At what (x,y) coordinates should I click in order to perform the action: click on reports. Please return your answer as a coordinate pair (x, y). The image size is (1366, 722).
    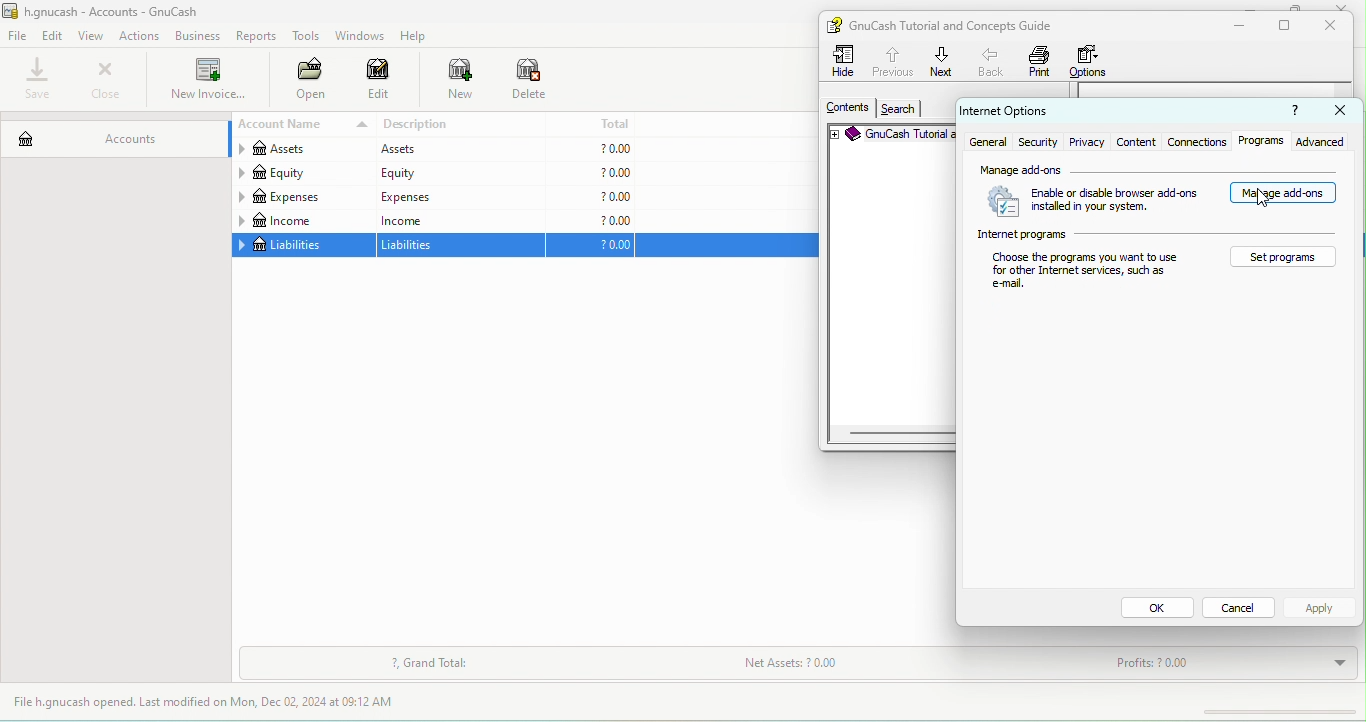
    Looking at the image, I should click on (258, 36).